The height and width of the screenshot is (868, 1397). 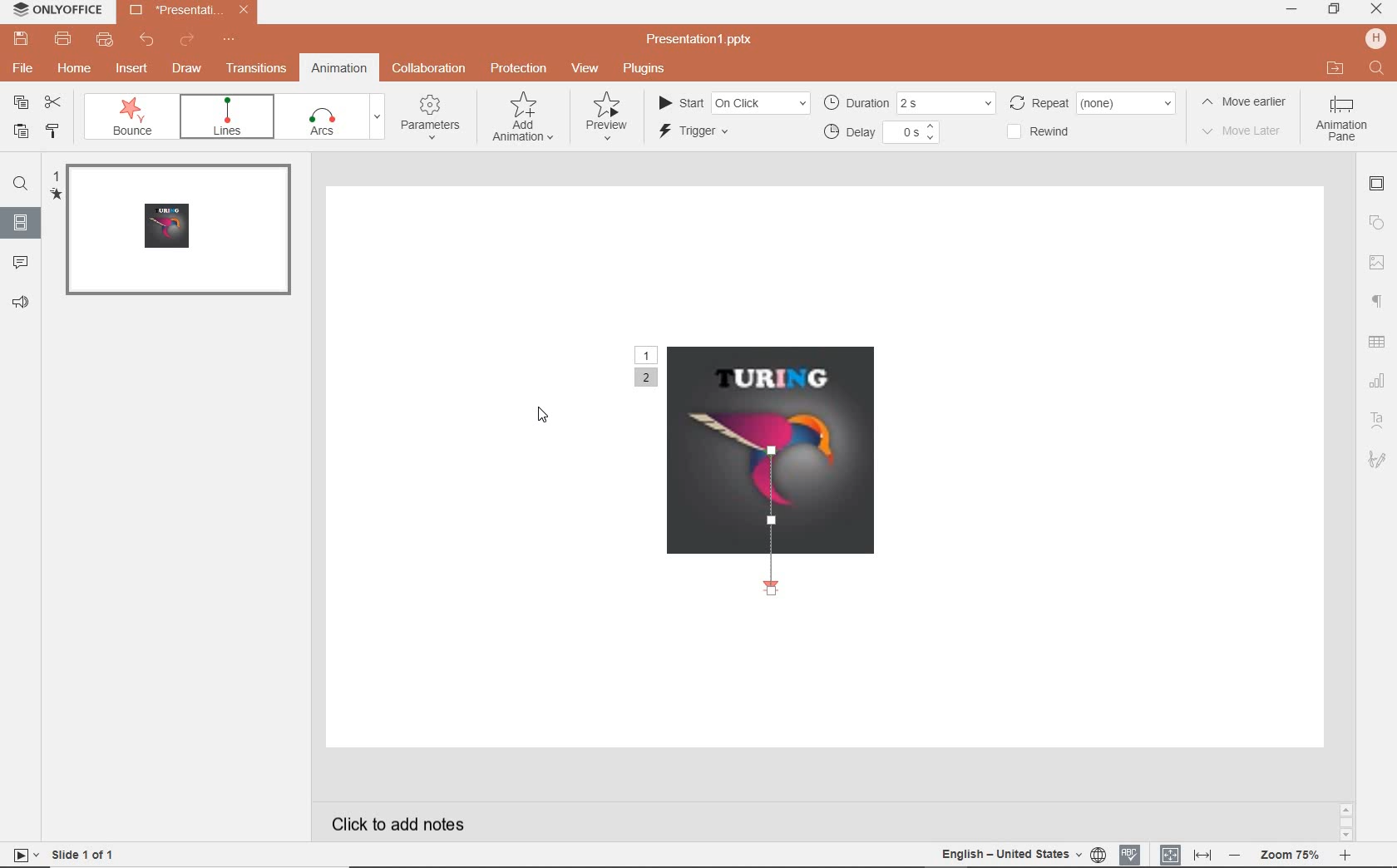 I want to click on redo, so click(x=185, y=40).